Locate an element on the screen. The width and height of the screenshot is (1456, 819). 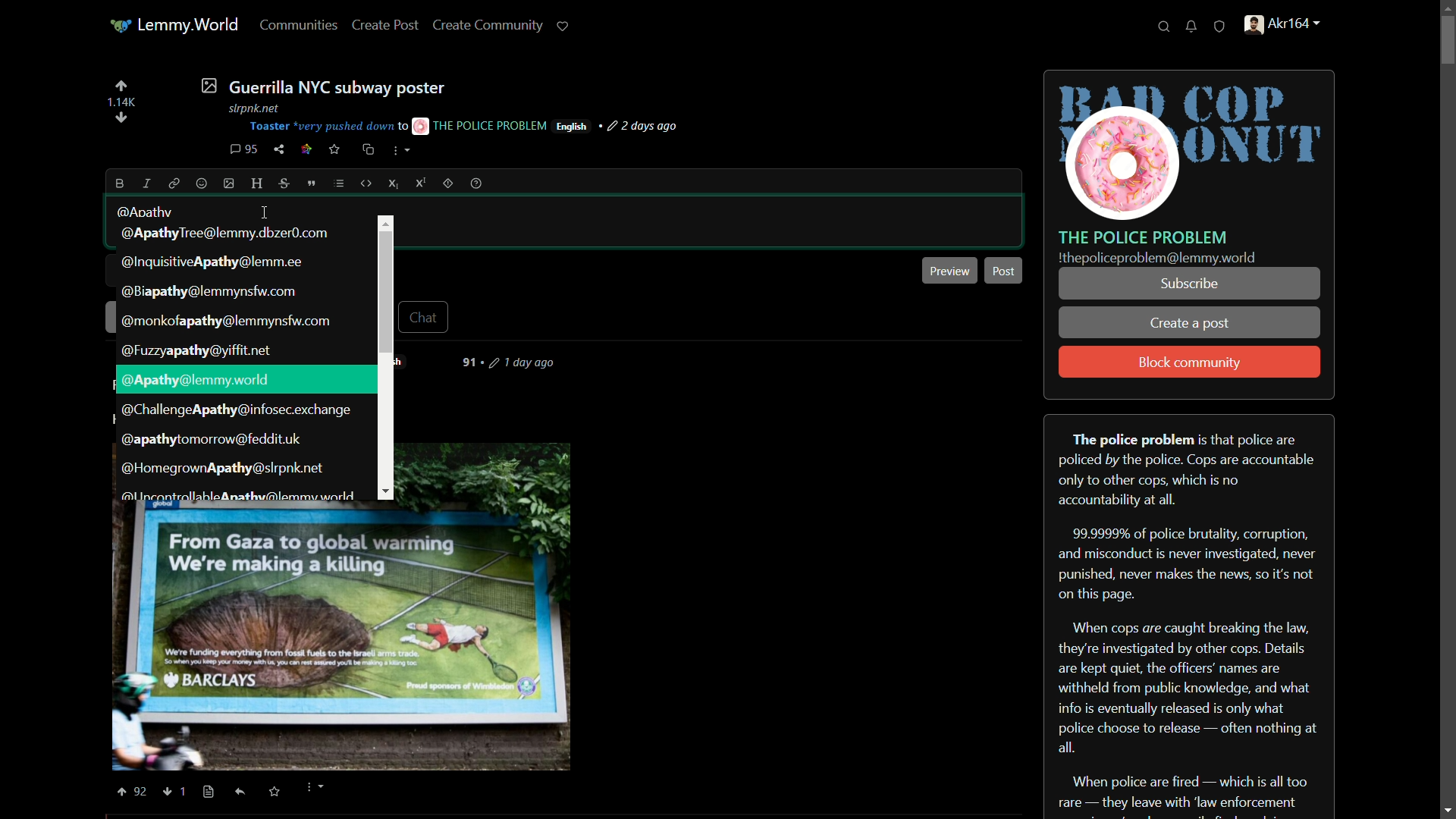
link is located at coordinates (306, 151).